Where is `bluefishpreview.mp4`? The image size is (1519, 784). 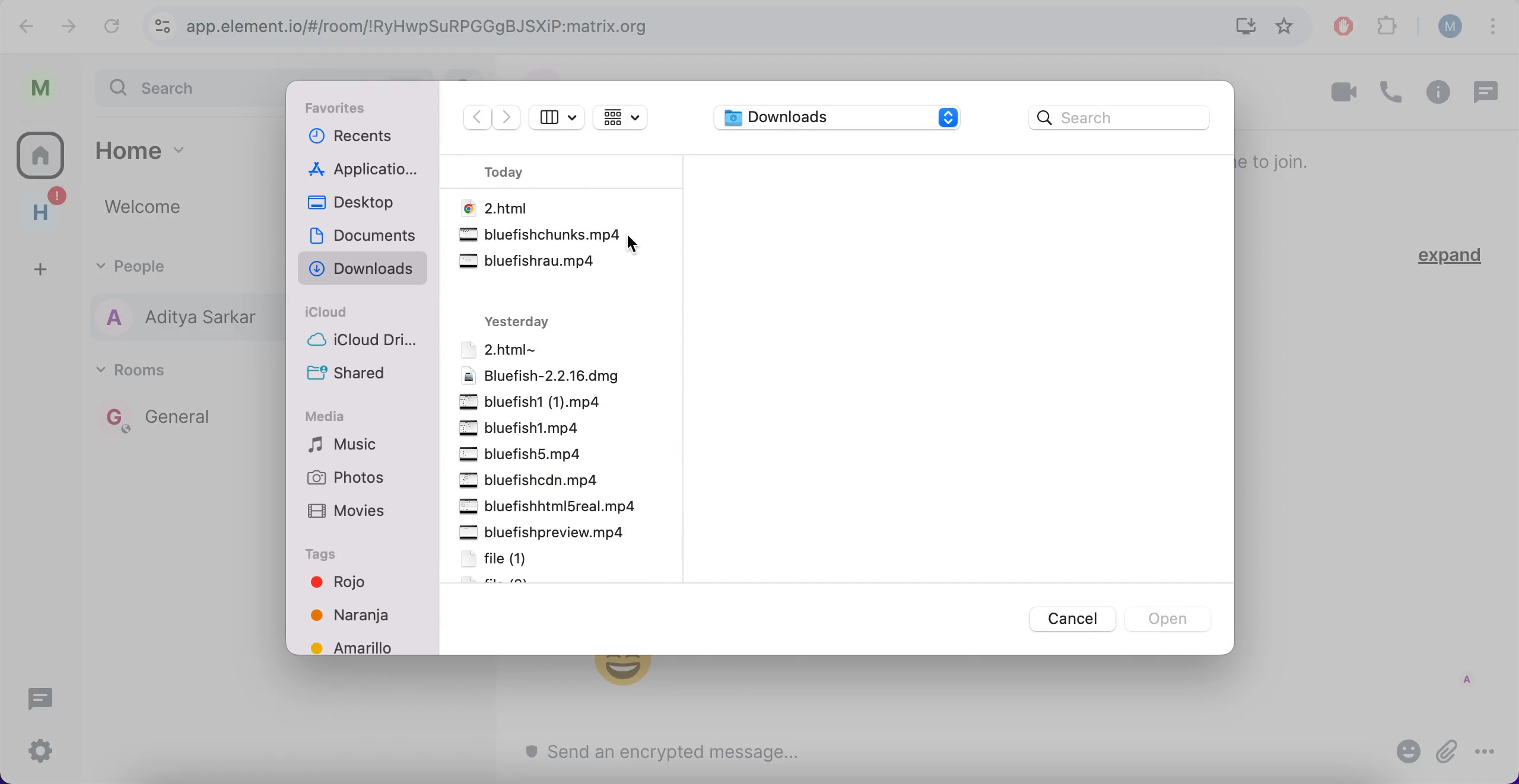 bluefishpreview.mp4 is located at coordinates (543, 534).